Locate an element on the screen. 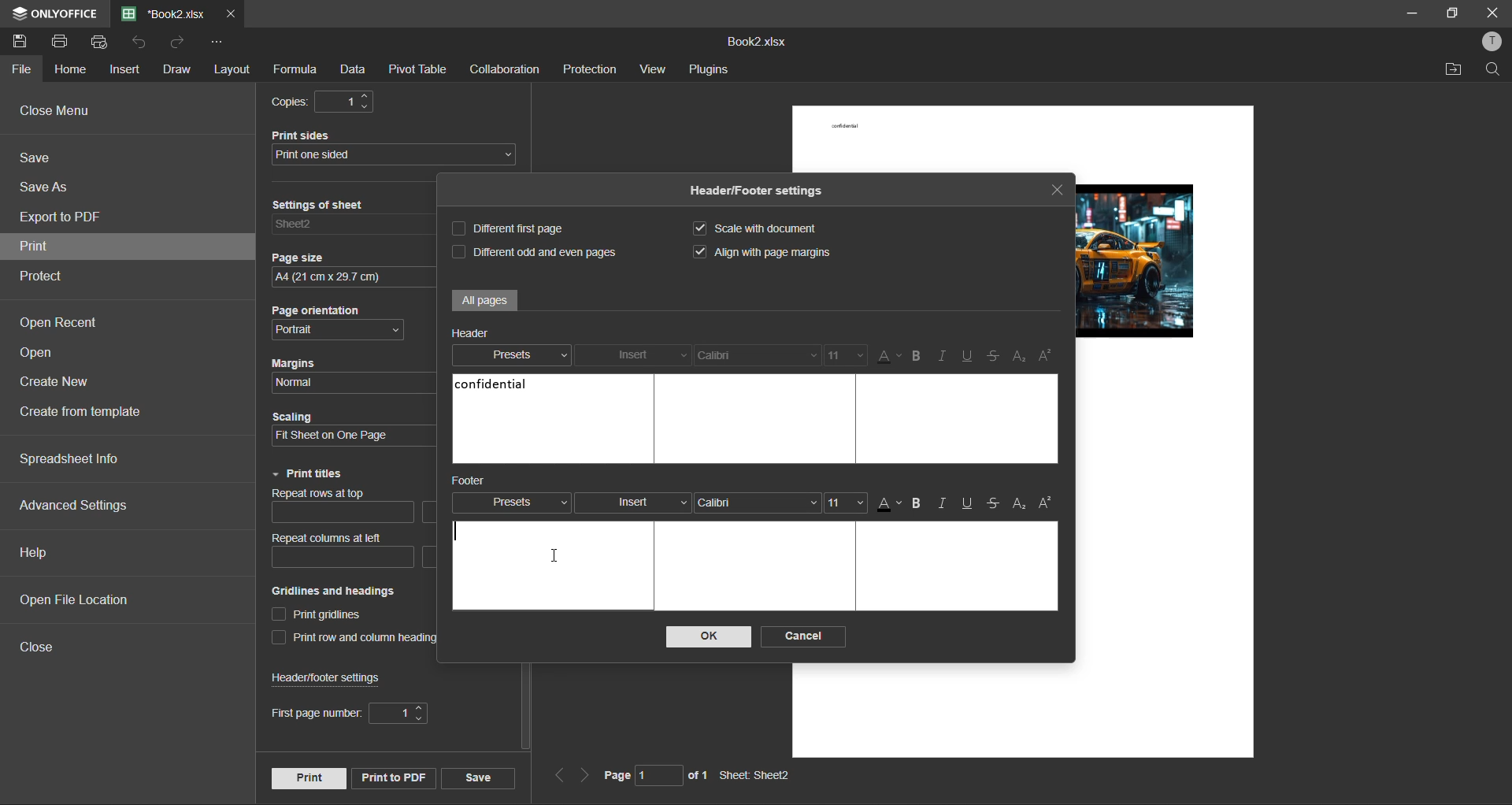 This screenshot has width=1512, height=805. page orientation is located at coordinates (337, 332).